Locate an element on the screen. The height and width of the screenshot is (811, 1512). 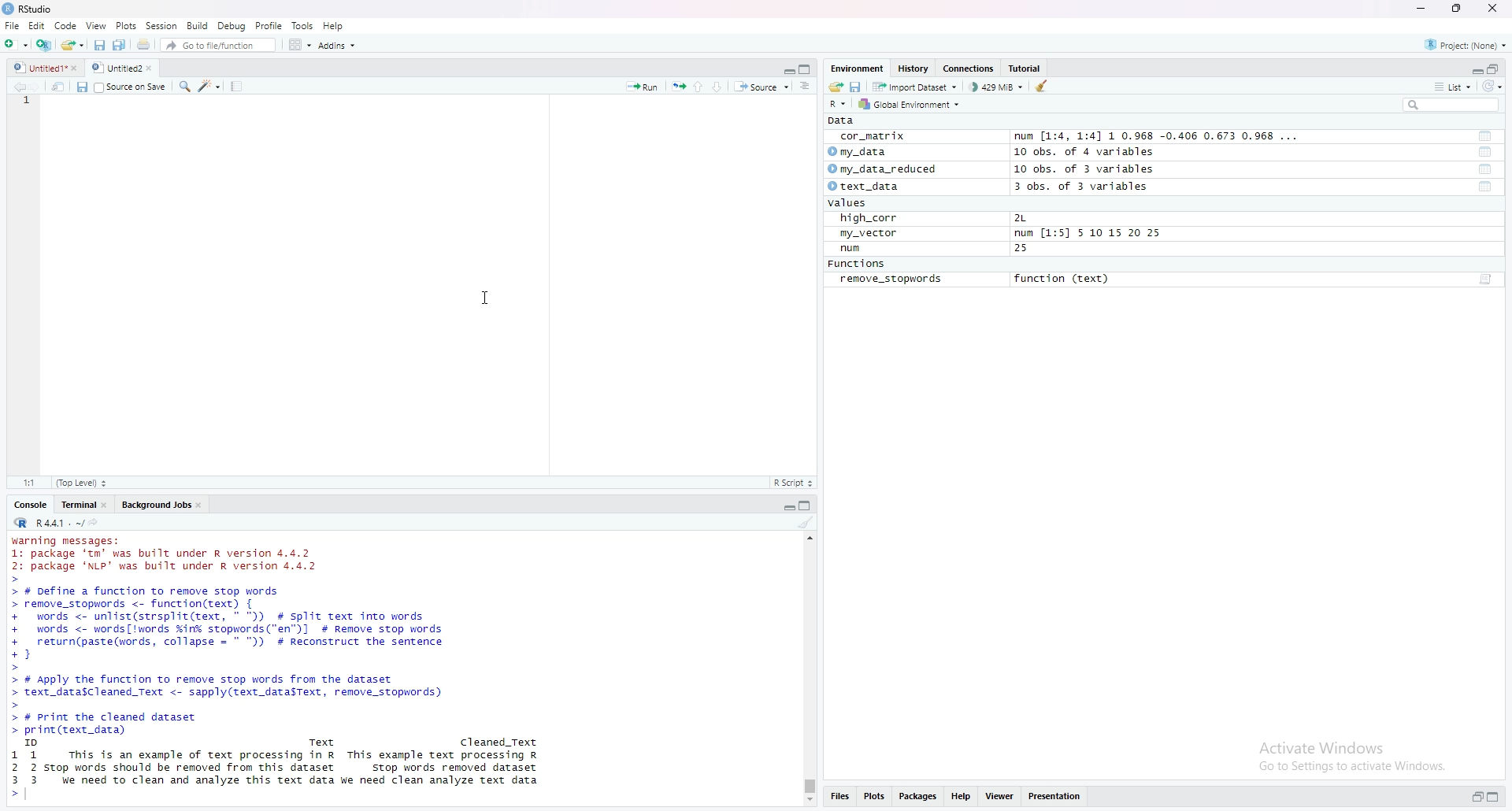
Presentation is located at coordinates (1054, 797).